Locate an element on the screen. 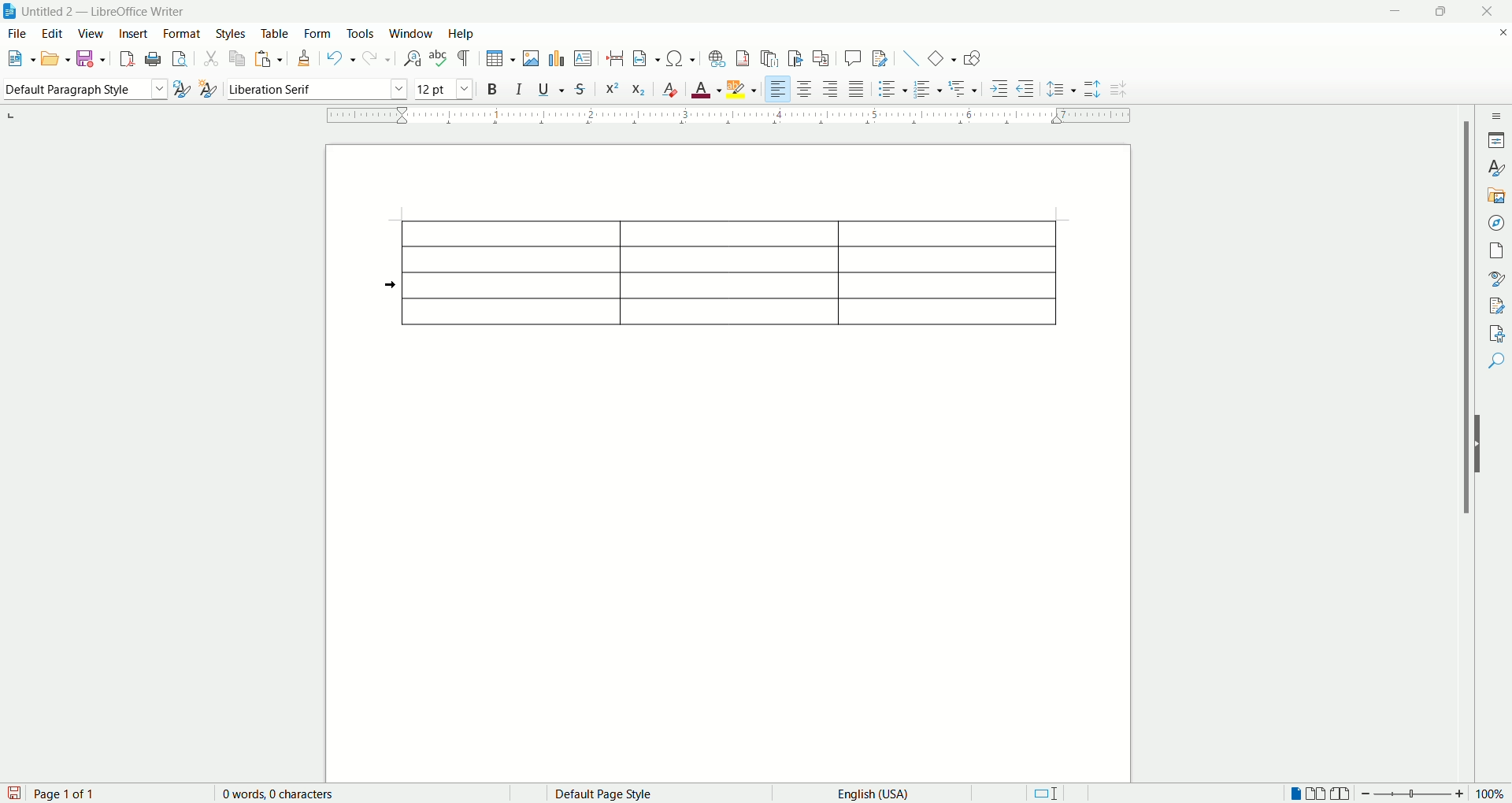  page is located at coordinates (1494, 250).